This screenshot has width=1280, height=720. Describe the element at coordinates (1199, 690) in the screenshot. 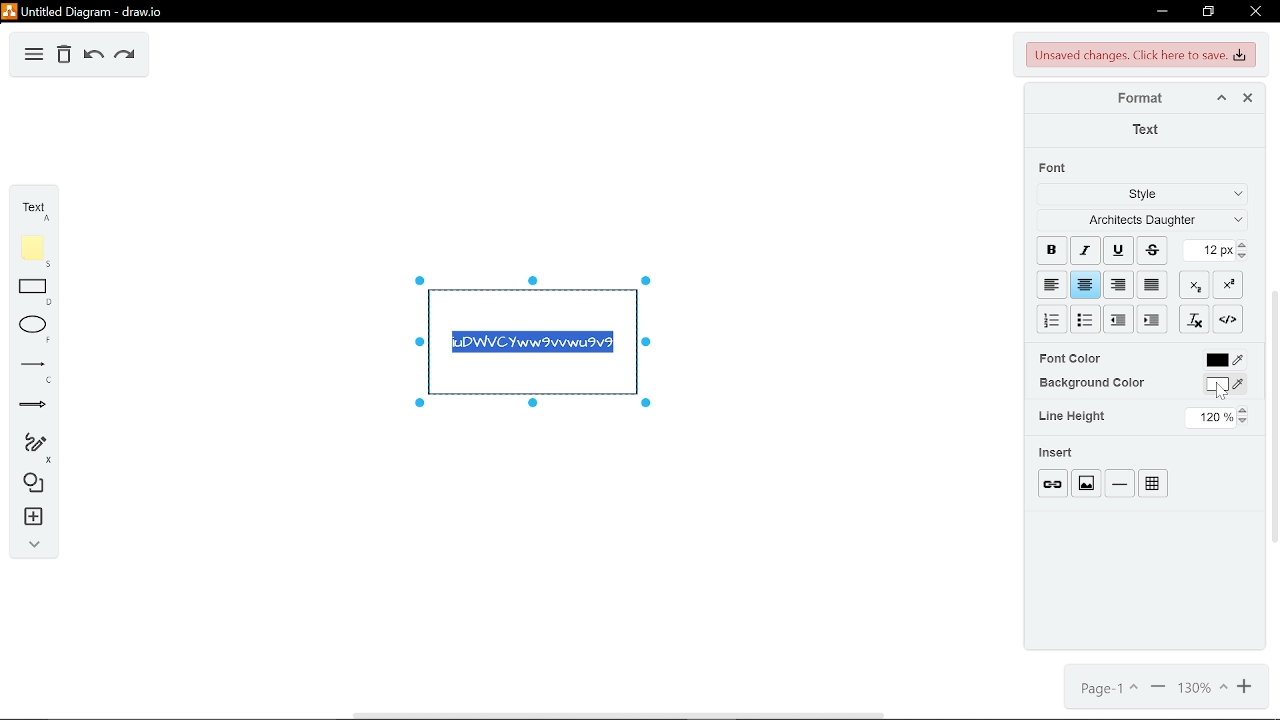

I see `130%` at that location.